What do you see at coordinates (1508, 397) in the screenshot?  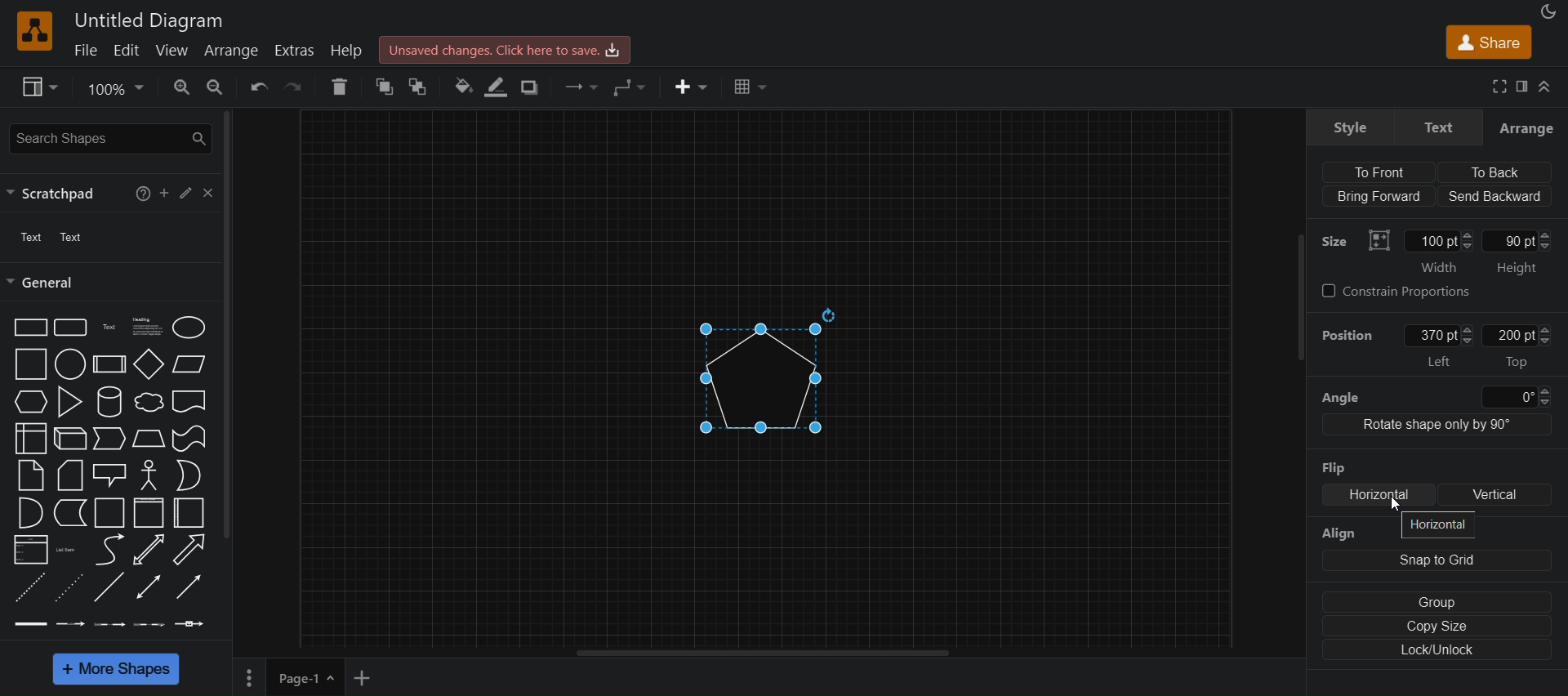 I see `Input angle` at bounding box center [1508, 397].